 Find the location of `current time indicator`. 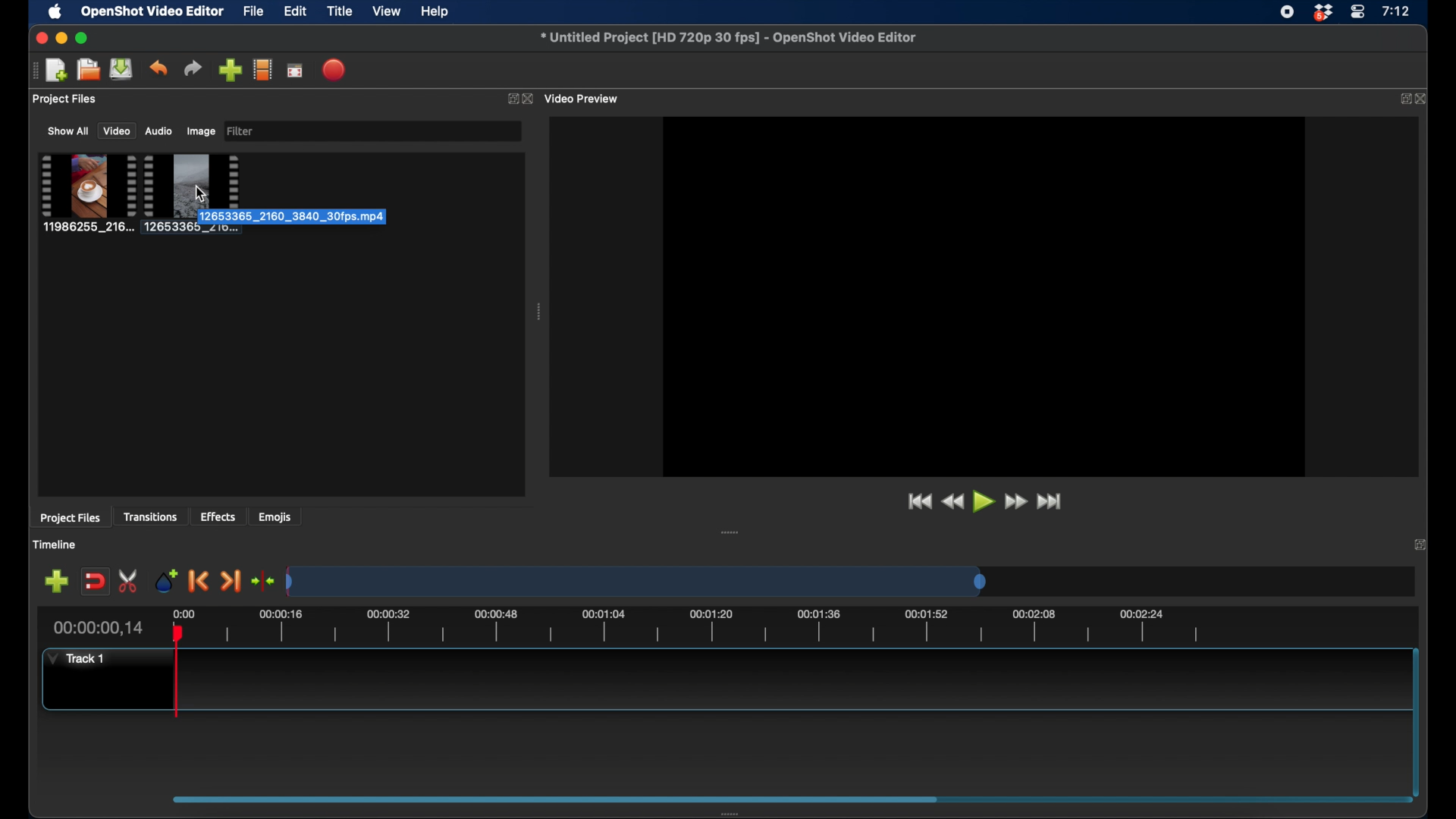

current time indicator is located at coordinates (99, 628).